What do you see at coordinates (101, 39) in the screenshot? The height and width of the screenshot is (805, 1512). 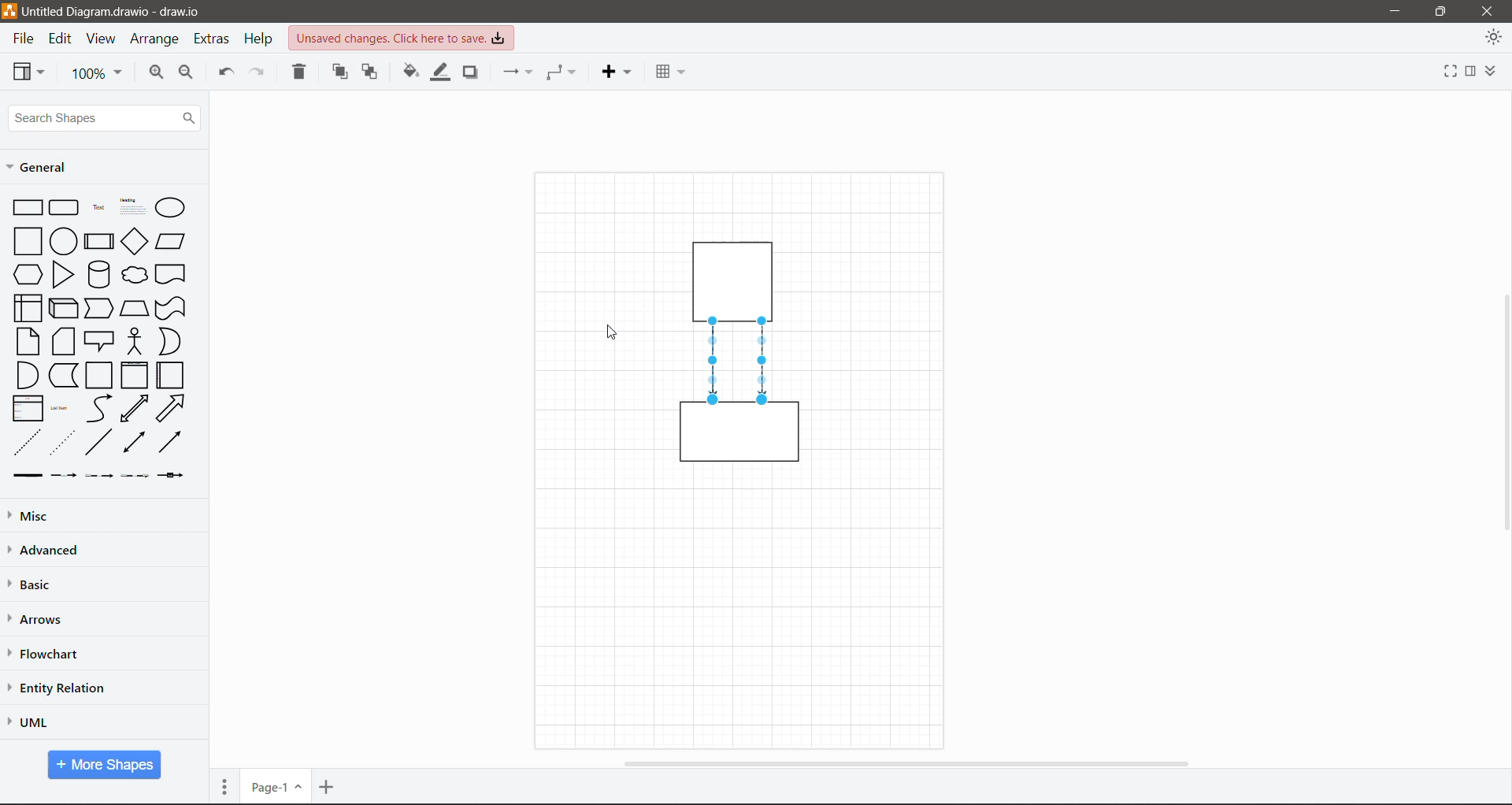 I see `View` at bounding box center [101, 39].